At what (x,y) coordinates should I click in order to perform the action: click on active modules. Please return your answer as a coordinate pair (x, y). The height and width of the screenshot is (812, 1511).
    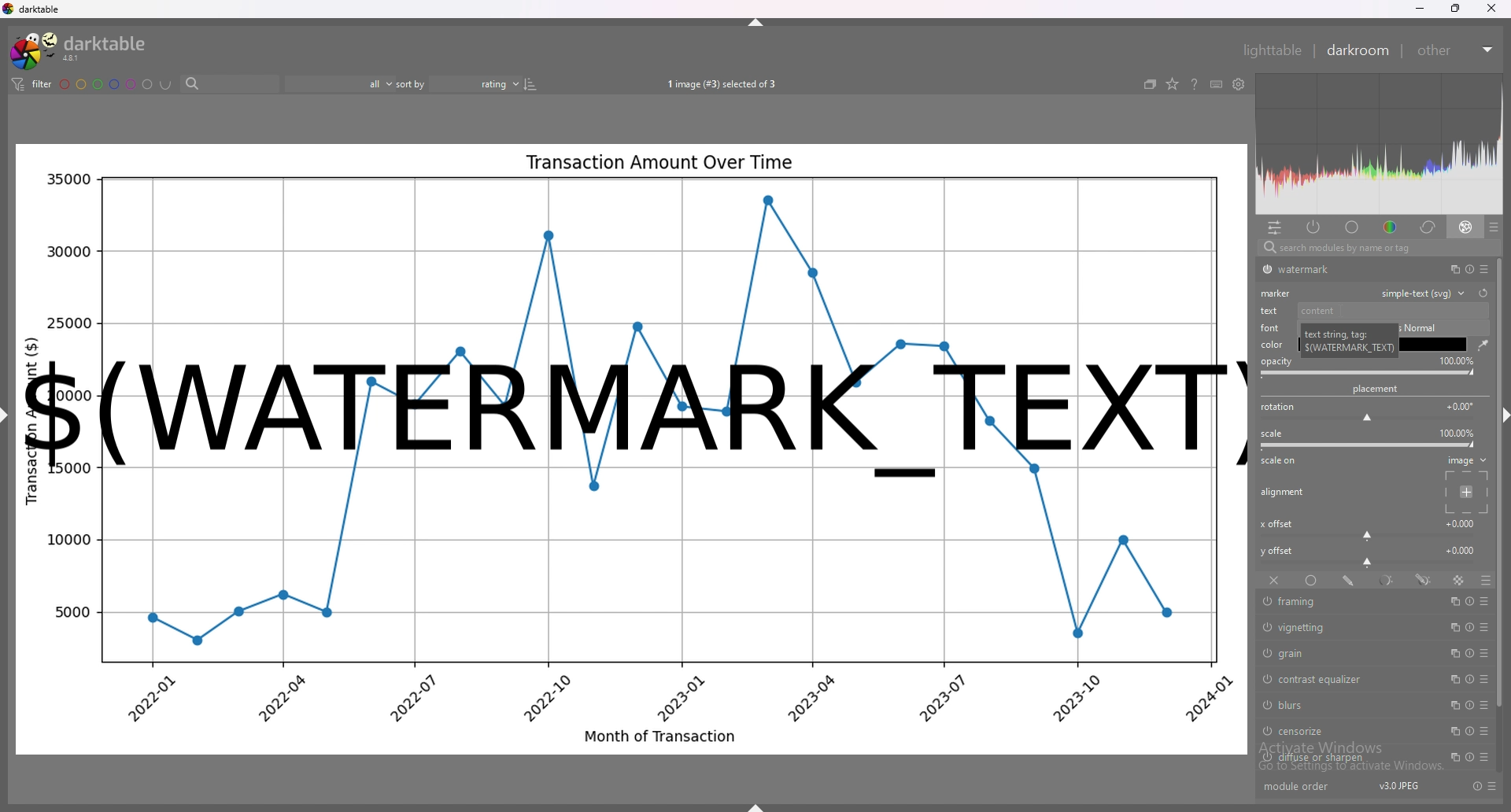
    Looking at the image, I should click on (1315, 228).